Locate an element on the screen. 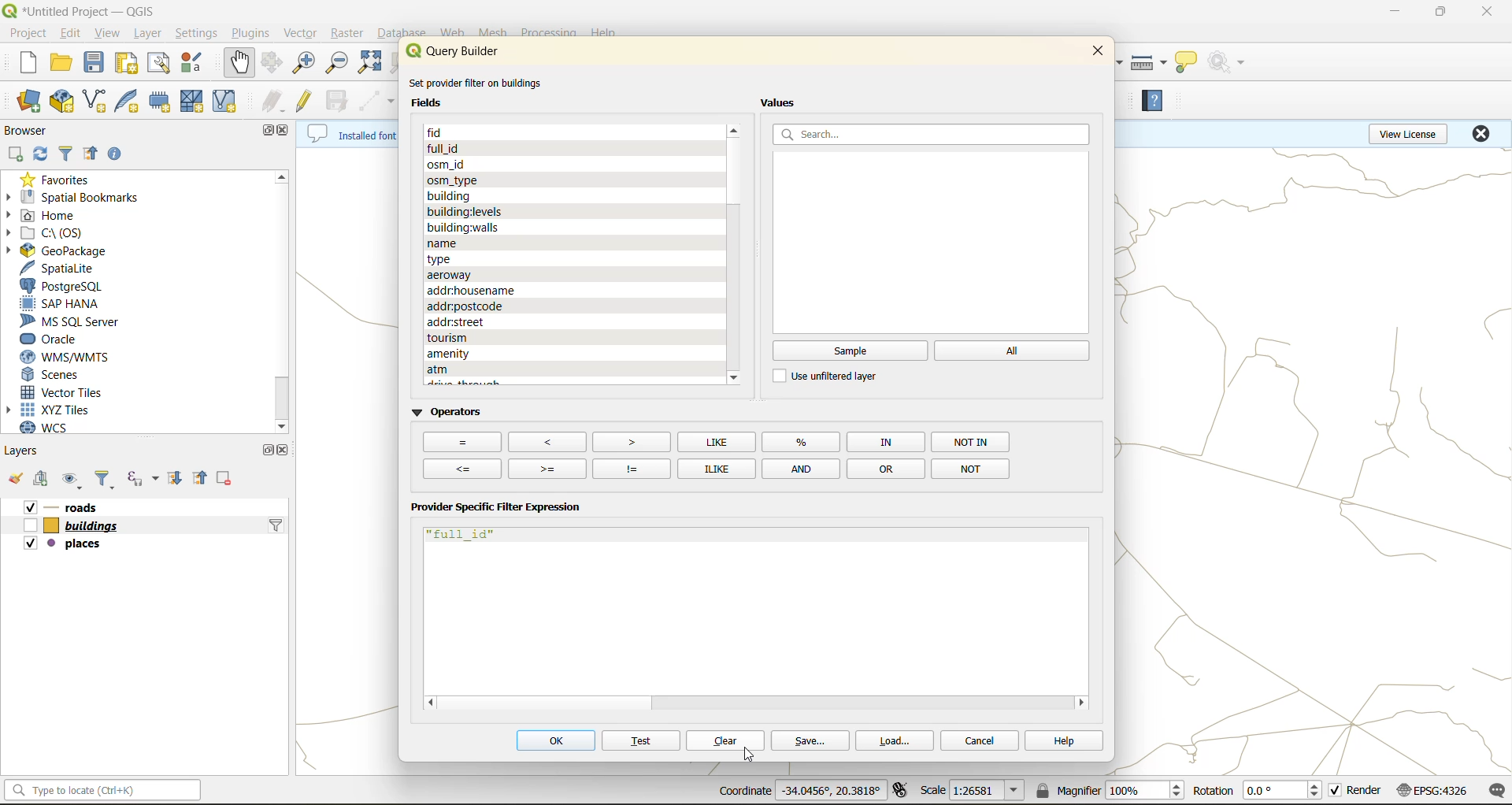  rotation is located at coordinates (1256, 793).